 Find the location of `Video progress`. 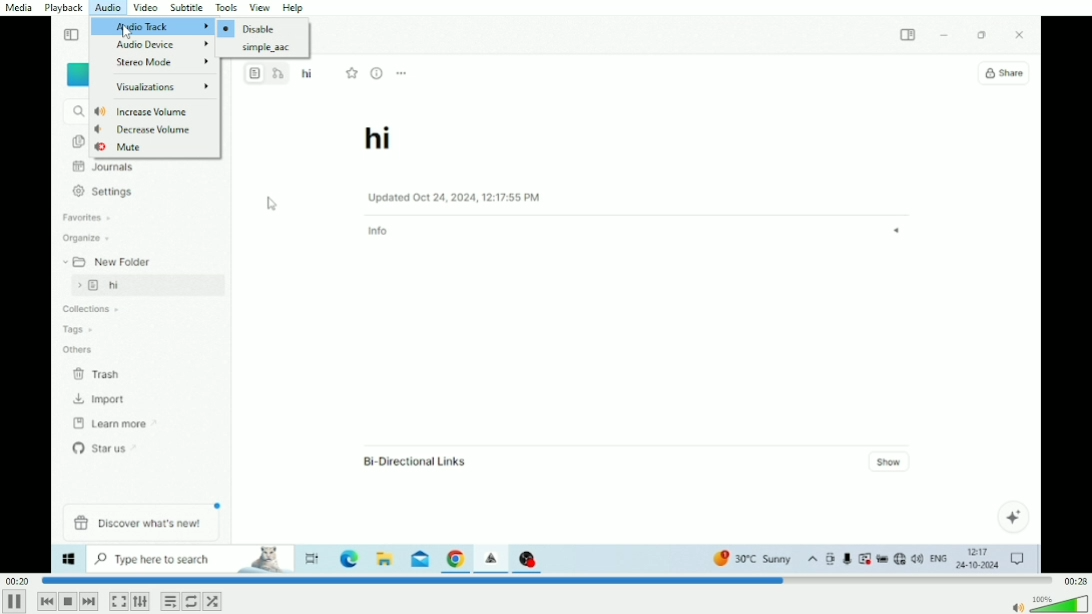

Video progress is located at coordinates (547, 580).